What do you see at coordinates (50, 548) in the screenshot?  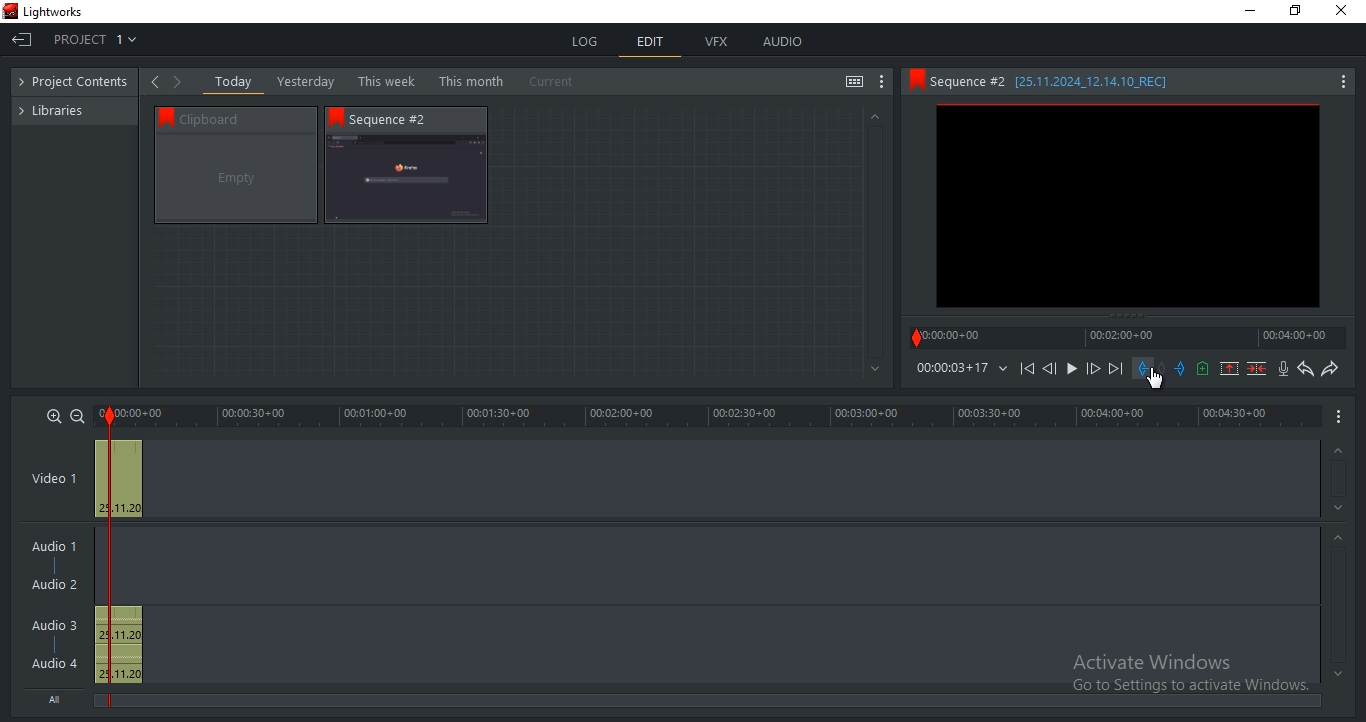 I see `Audio 1` at bounding box center [50, 548].